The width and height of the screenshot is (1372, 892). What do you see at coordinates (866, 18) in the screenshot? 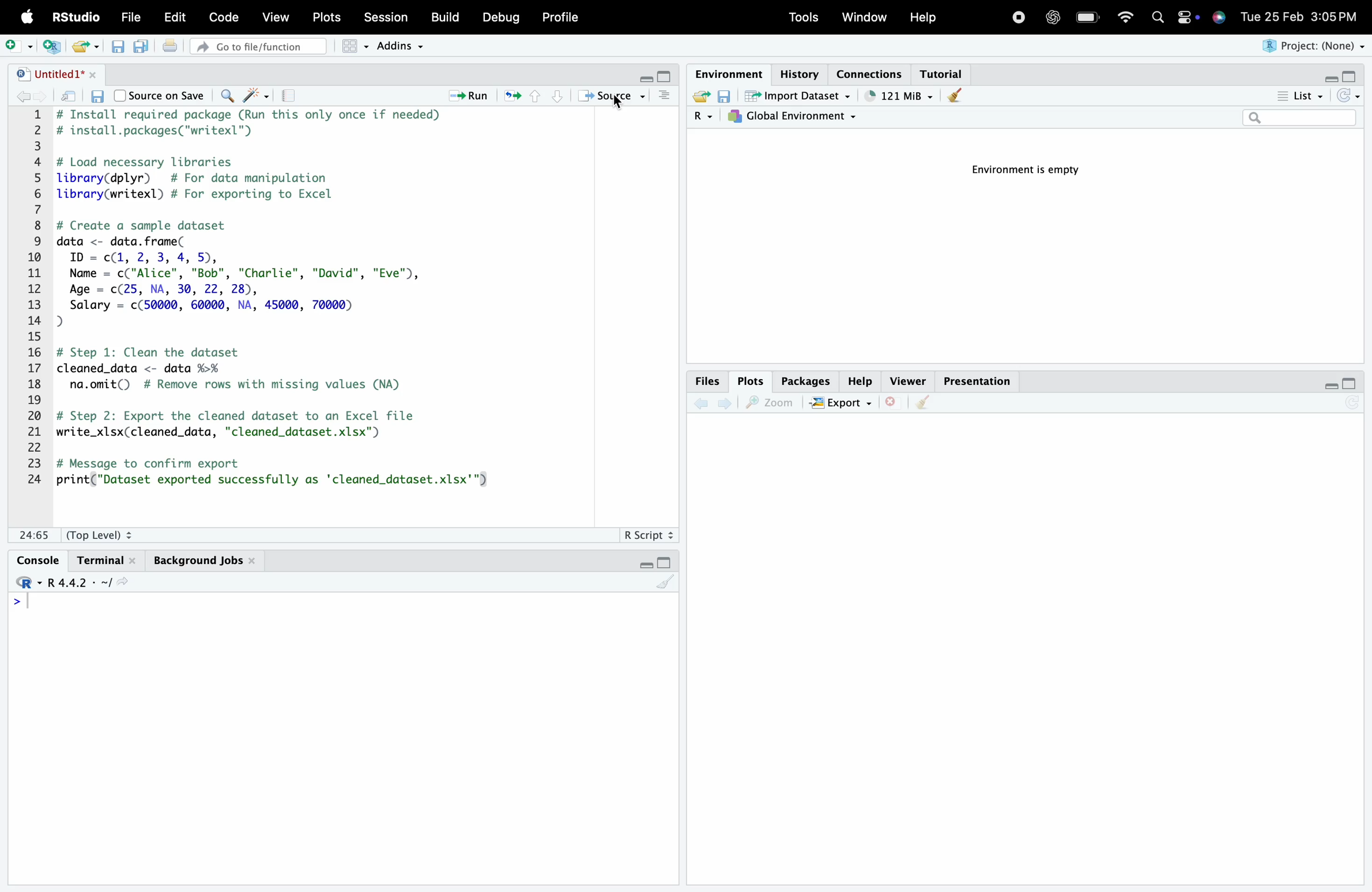
I see `Window` at bounding box center [866, 18].